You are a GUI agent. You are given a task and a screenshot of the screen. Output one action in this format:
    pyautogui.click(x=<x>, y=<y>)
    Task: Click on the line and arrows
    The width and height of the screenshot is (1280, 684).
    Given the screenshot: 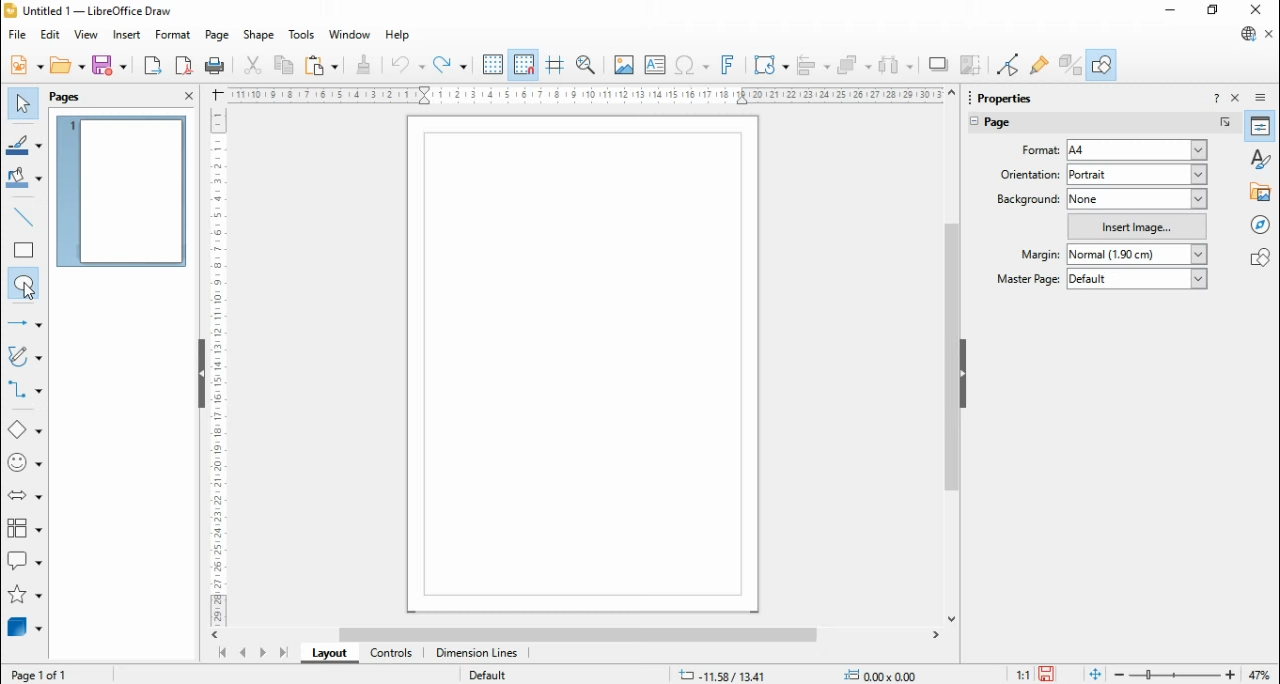 What is the action you would take?
    pyautogui.click(x=25, y=323)
    